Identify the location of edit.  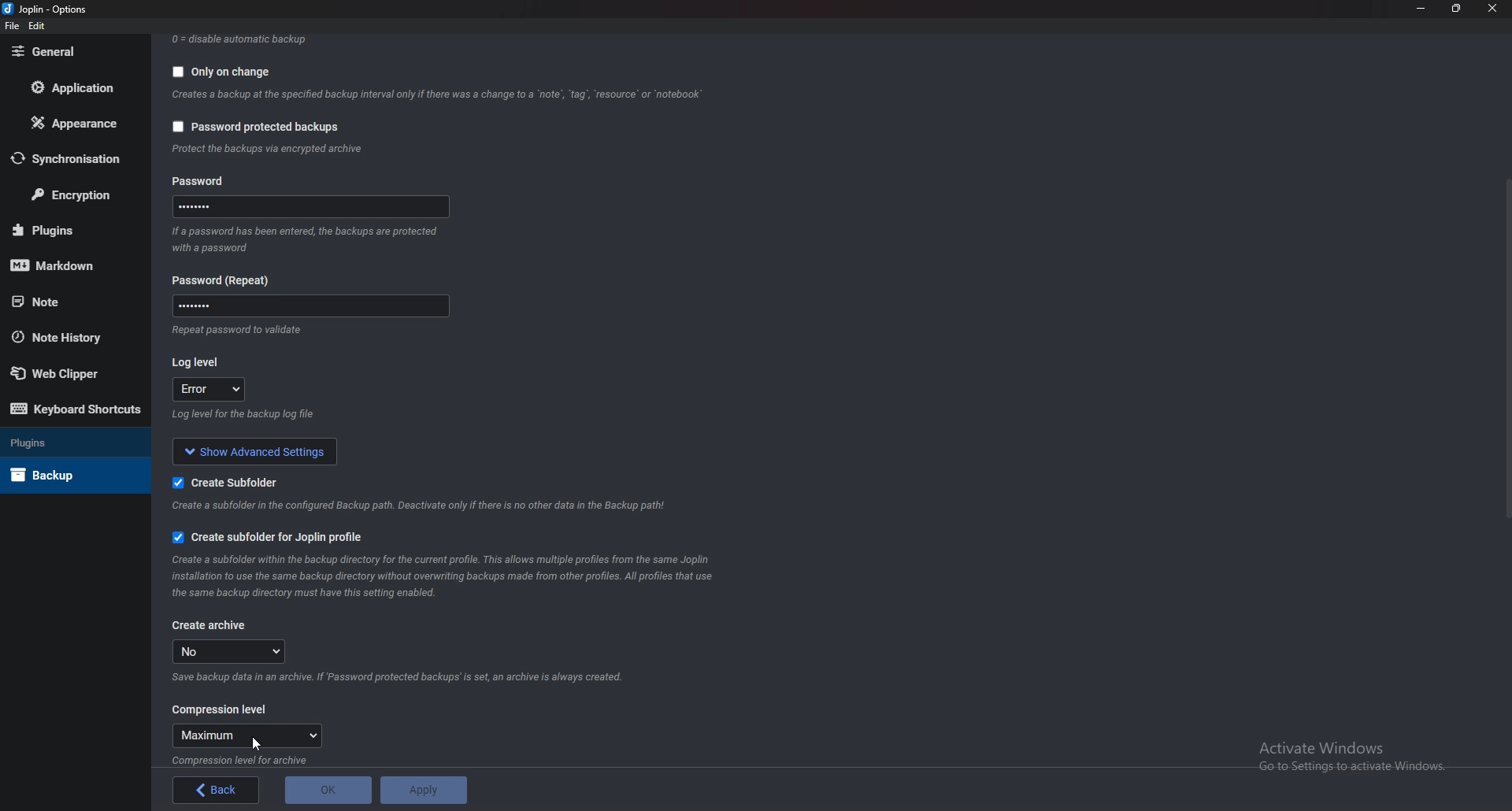
(39, 26).